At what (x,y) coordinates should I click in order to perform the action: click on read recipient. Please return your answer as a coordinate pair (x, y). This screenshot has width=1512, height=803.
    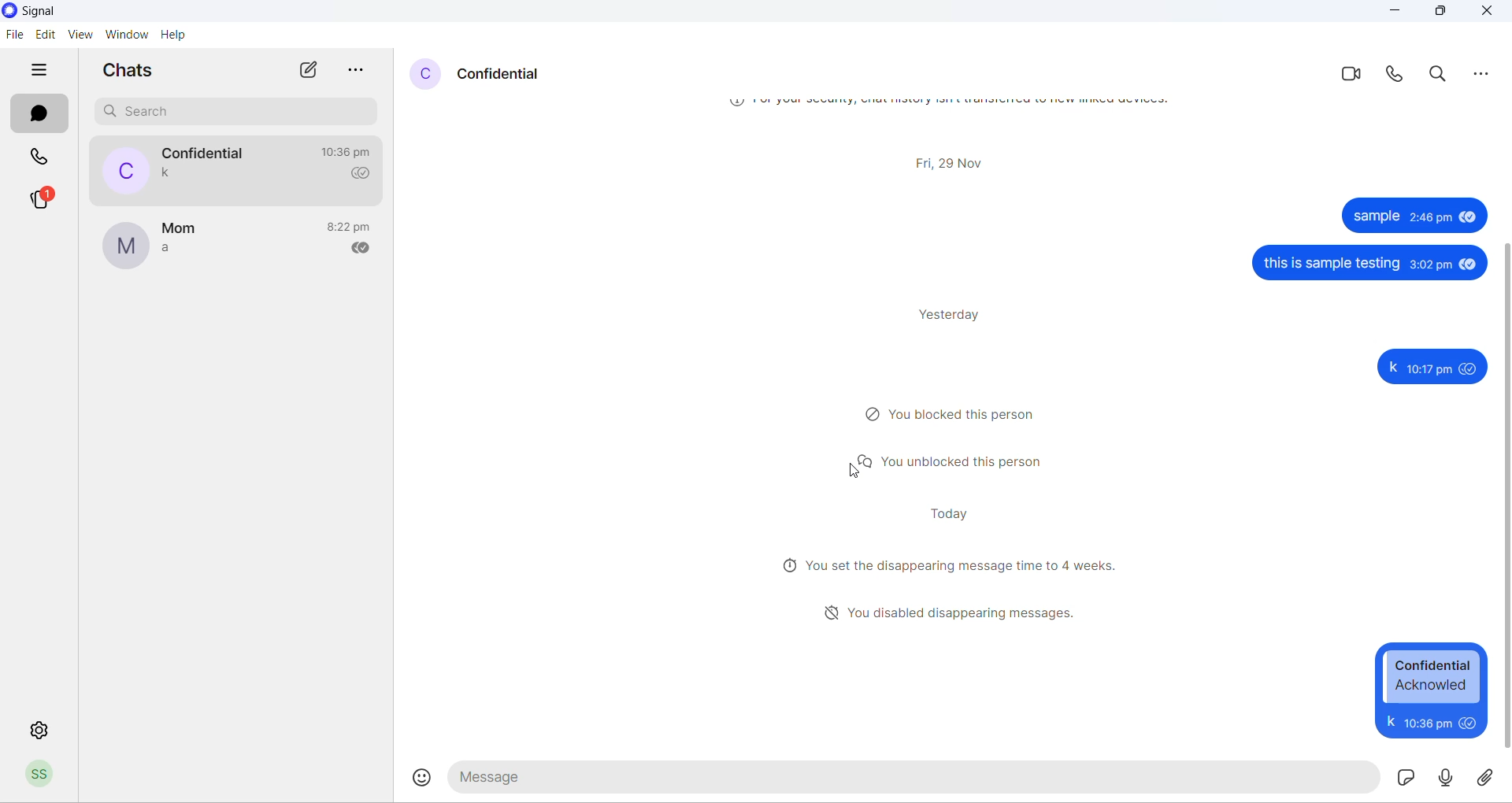
    Looking at the image, I should click on (362, 246).